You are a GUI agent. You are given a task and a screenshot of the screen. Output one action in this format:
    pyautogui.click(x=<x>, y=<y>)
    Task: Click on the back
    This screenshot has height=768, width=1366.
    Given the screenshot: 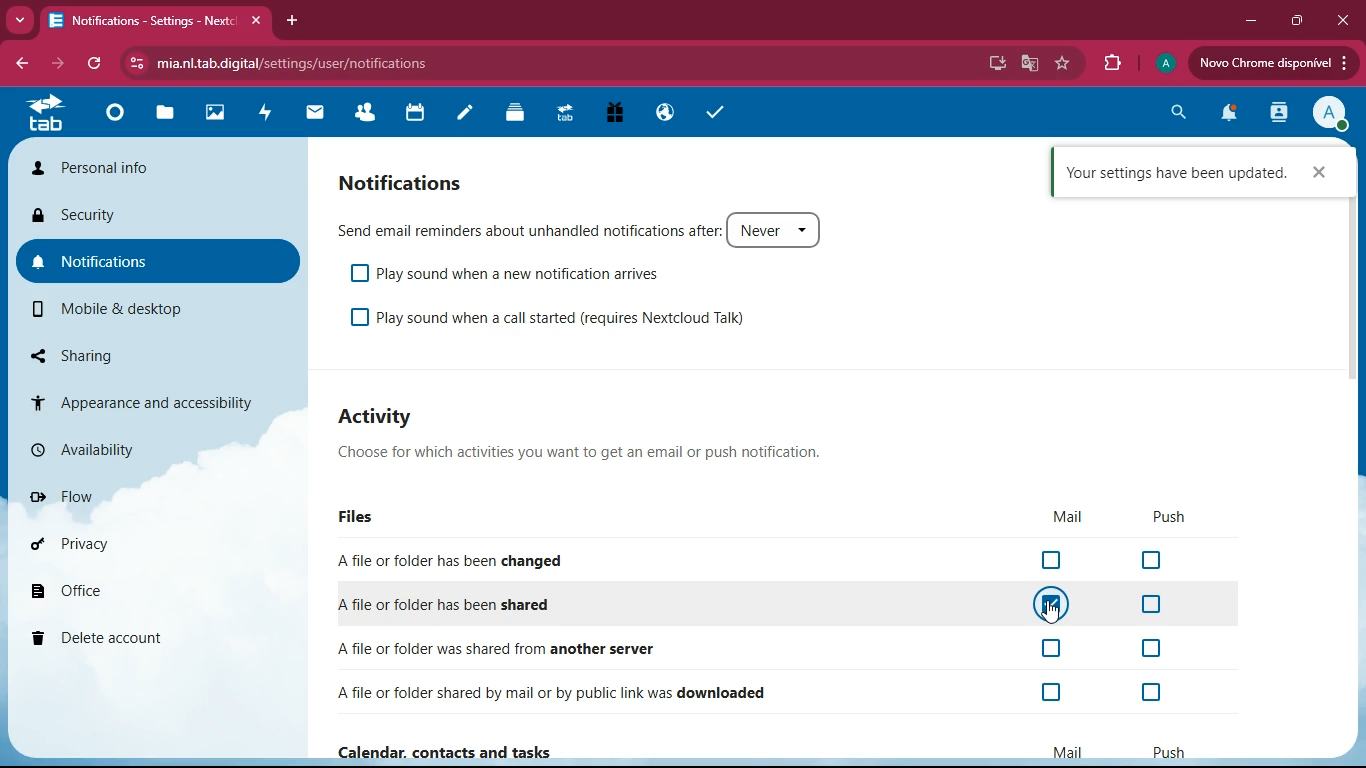 What is the action you would take?
    pyautogui.click(x=21, y=65)
    